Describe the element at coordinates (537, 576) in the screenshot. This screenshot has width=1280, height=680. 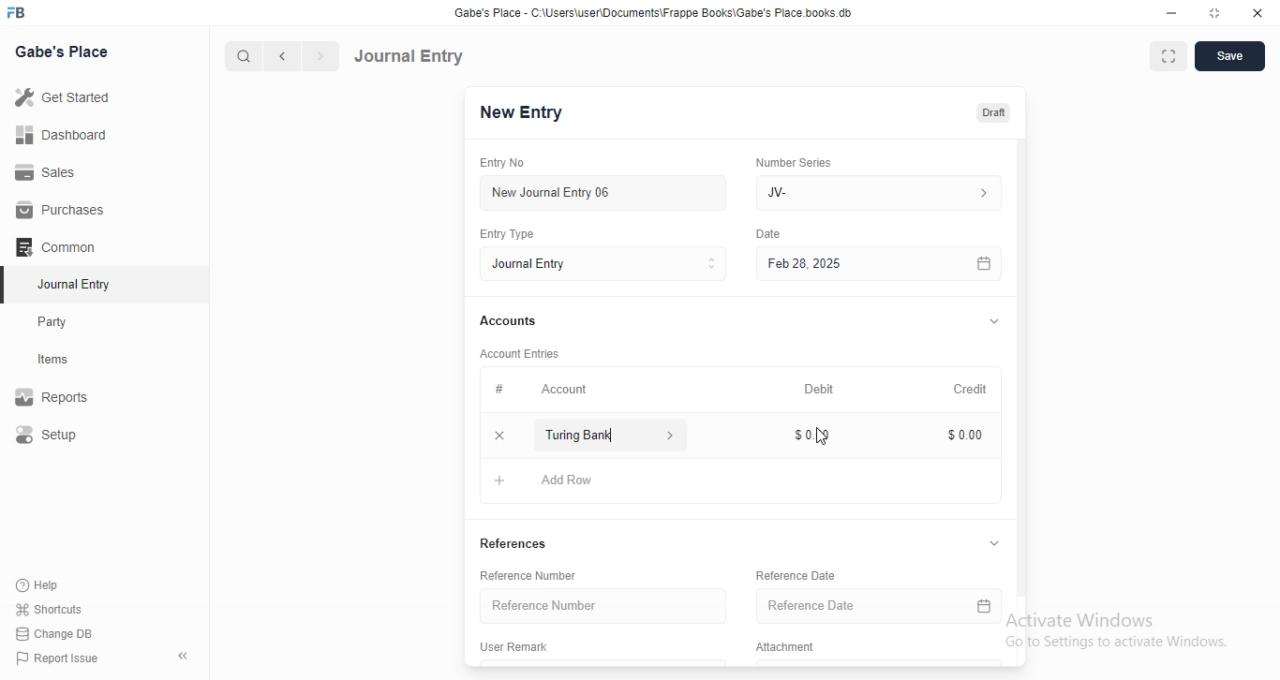
I see `Reference Number` at that location.